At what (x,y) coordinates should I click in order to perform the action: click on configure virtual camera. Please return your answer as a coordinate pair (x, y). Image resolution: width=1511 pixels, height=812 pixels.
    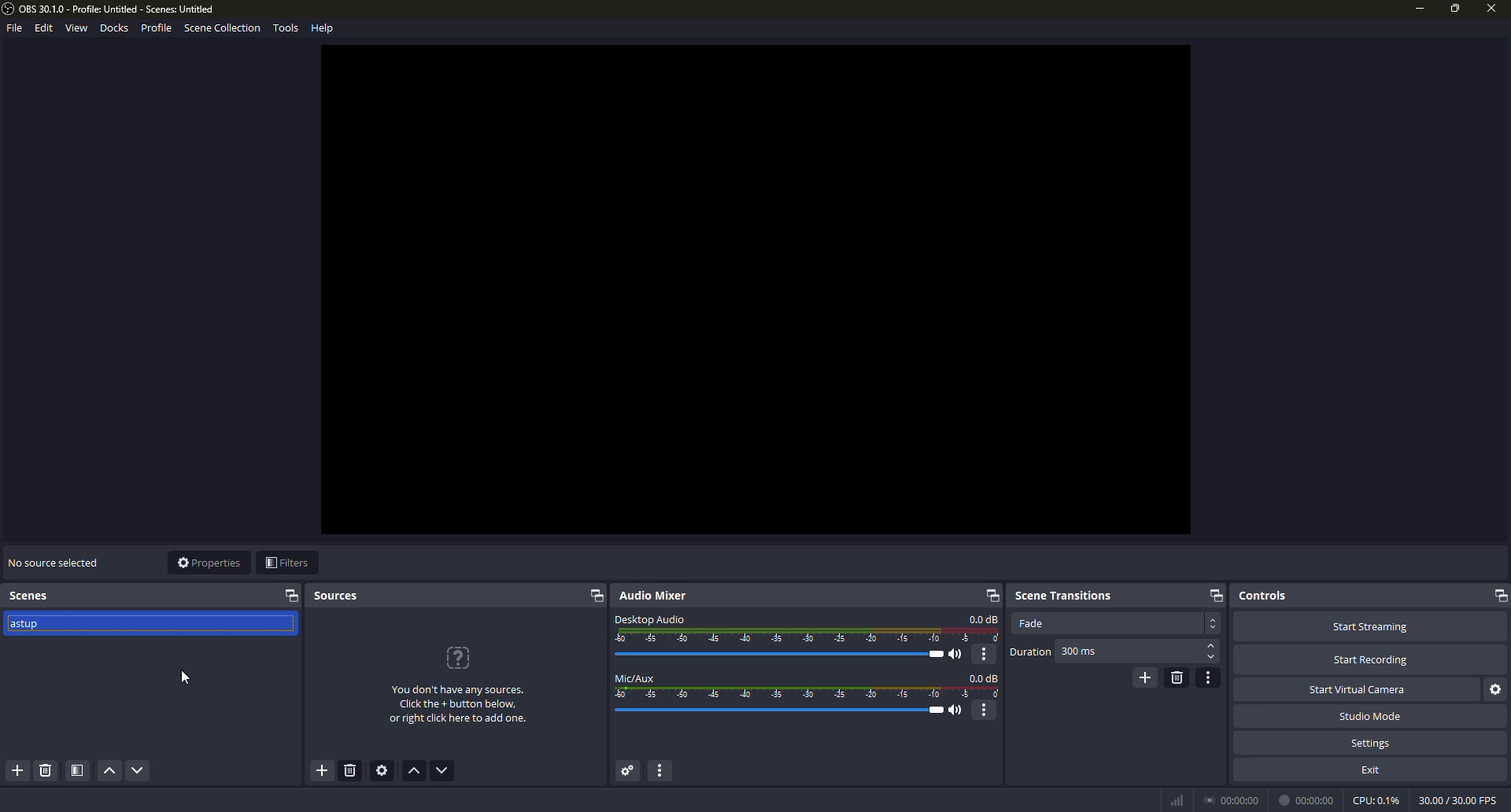
    Looking at the image, I should click on (1497, 689).